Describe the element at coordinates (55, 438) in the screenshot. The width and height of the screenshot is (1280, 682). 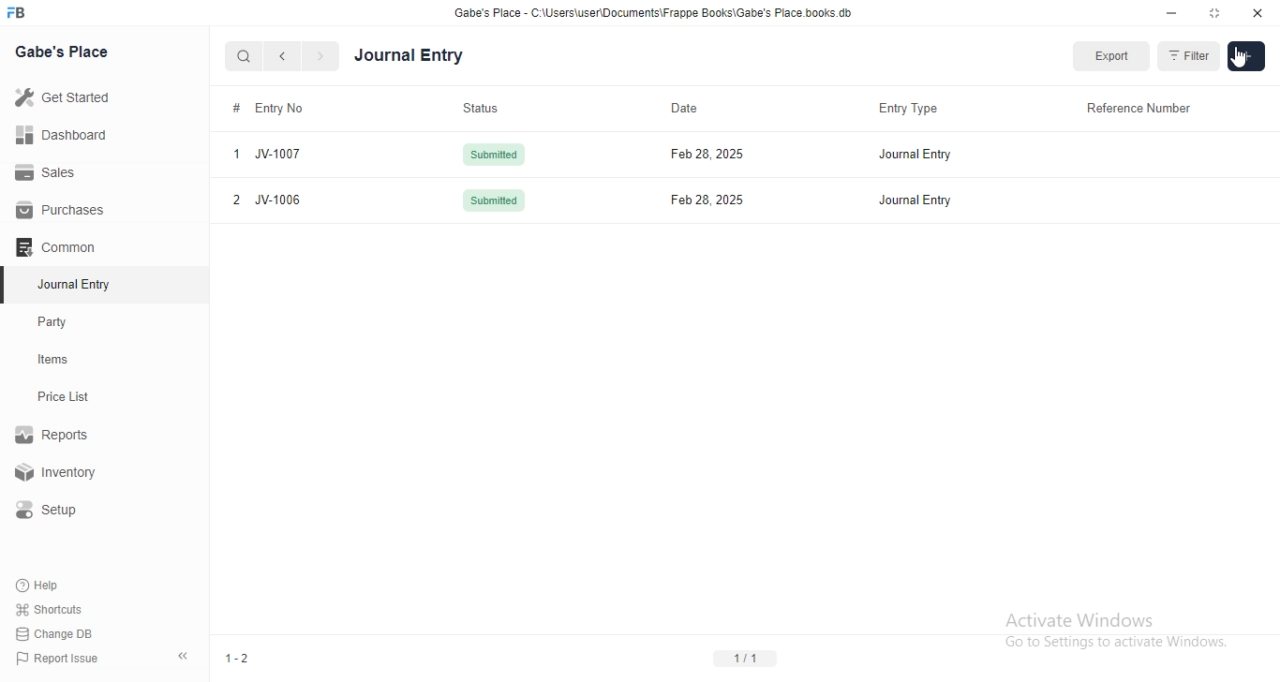
I see `Reports.` at that location.